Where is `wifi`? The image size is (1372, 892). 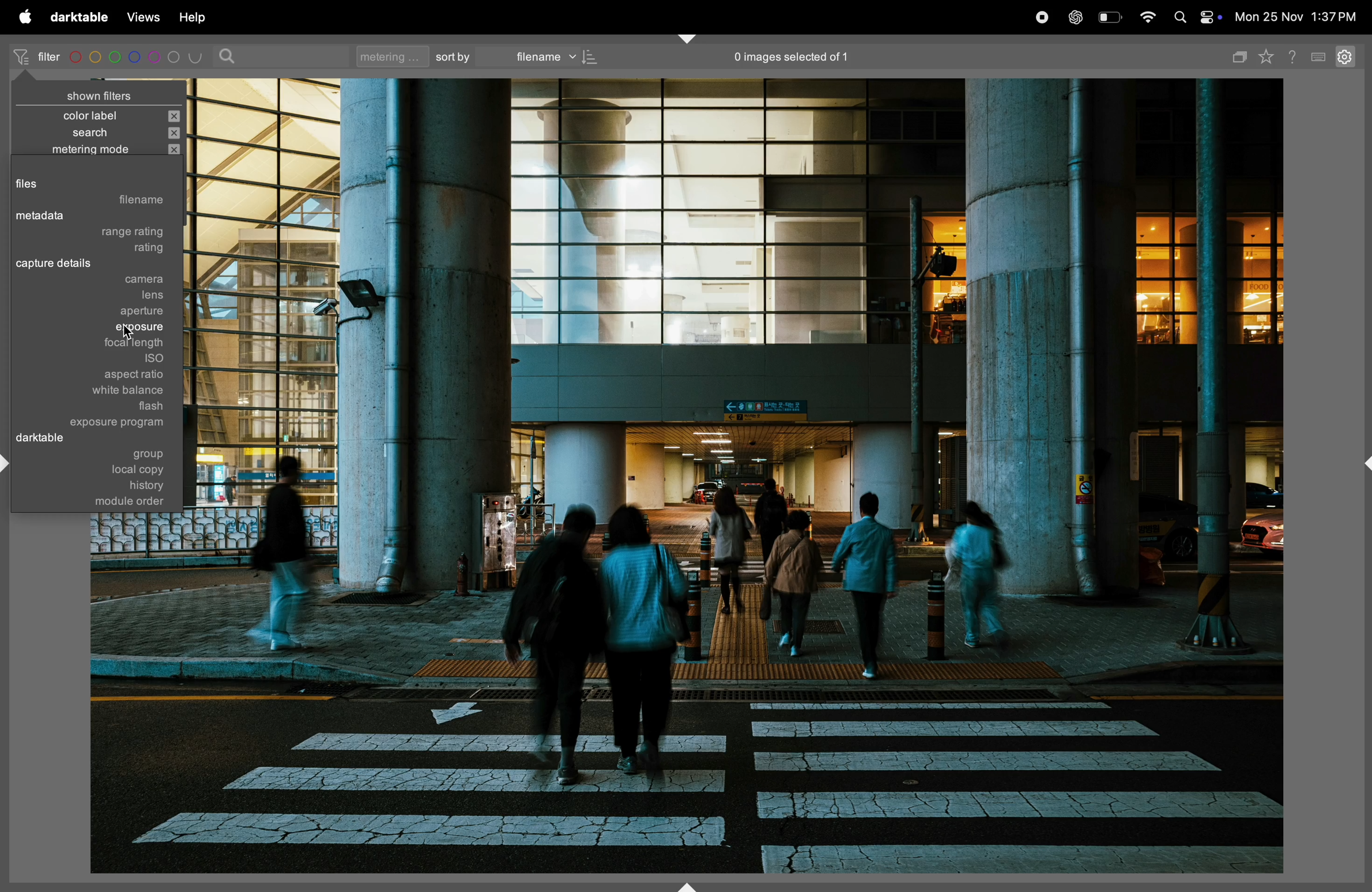
wifi is located at coordinates (1148, 17).